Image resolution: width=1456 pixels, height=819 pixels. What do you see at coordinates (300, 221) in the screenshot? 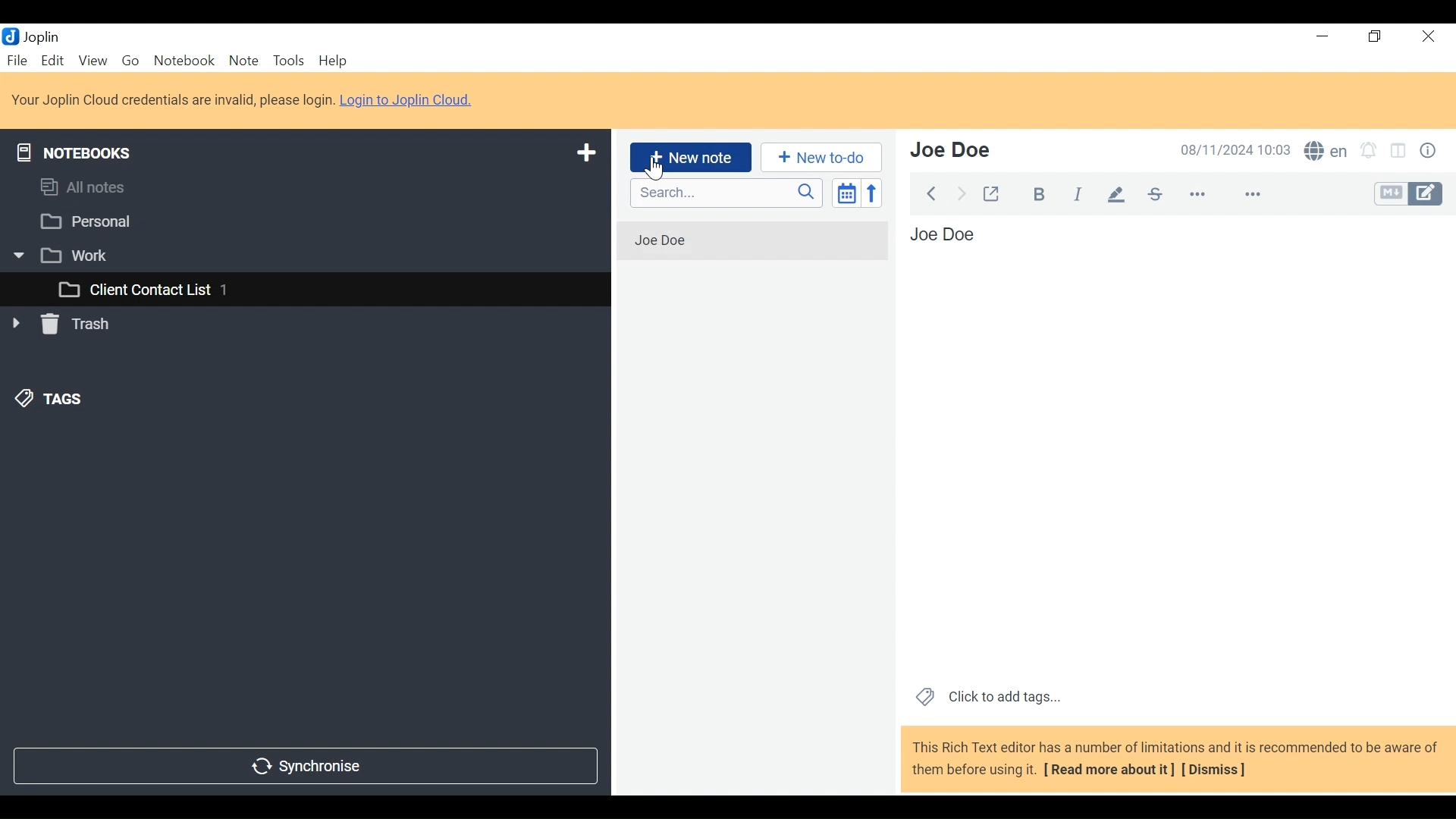
I see `Personal` at bounding box center [300, 221].